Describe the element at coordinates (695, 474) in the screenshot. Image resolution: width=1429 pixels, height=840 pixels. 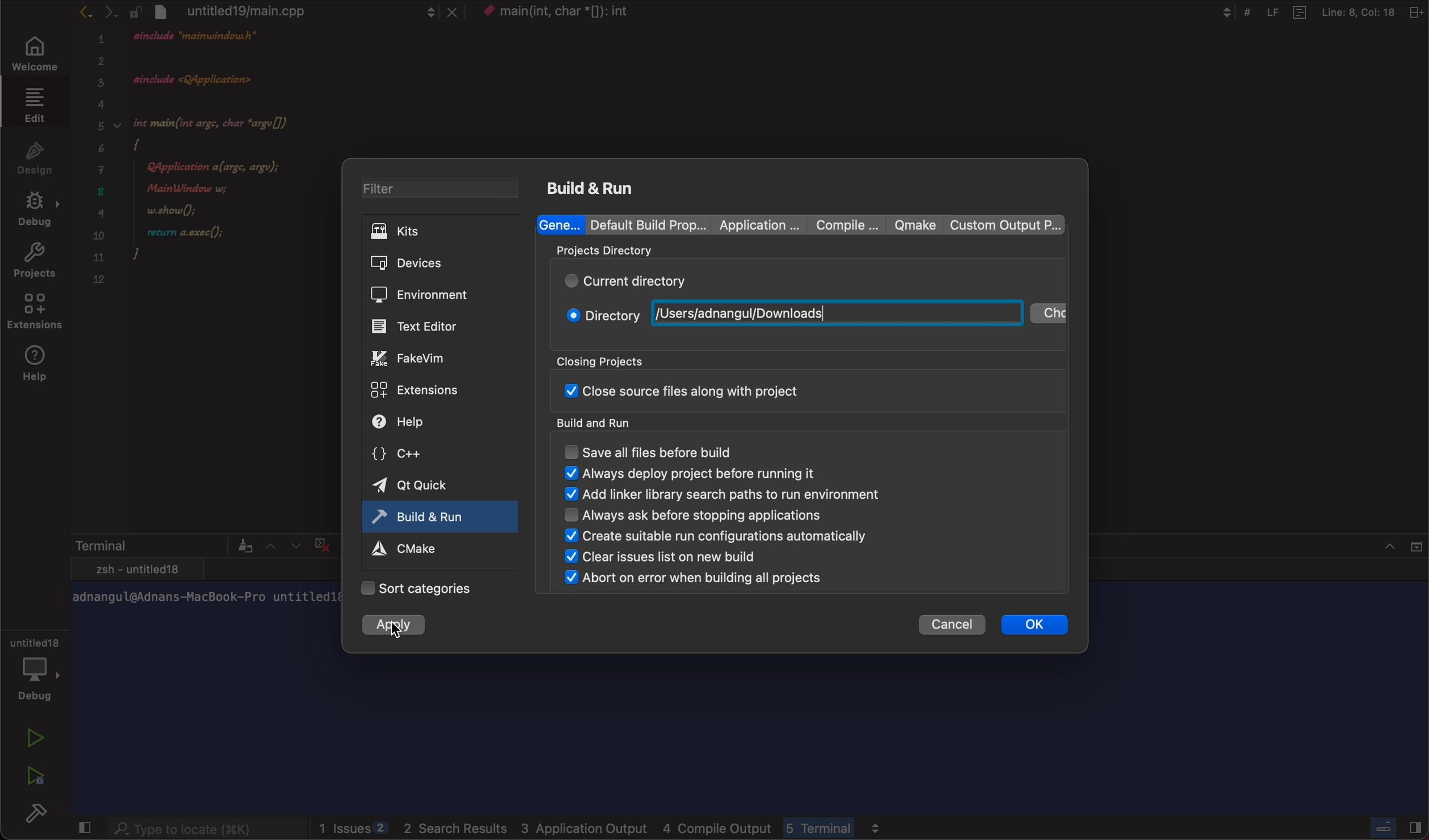
I see `always display` at that location.